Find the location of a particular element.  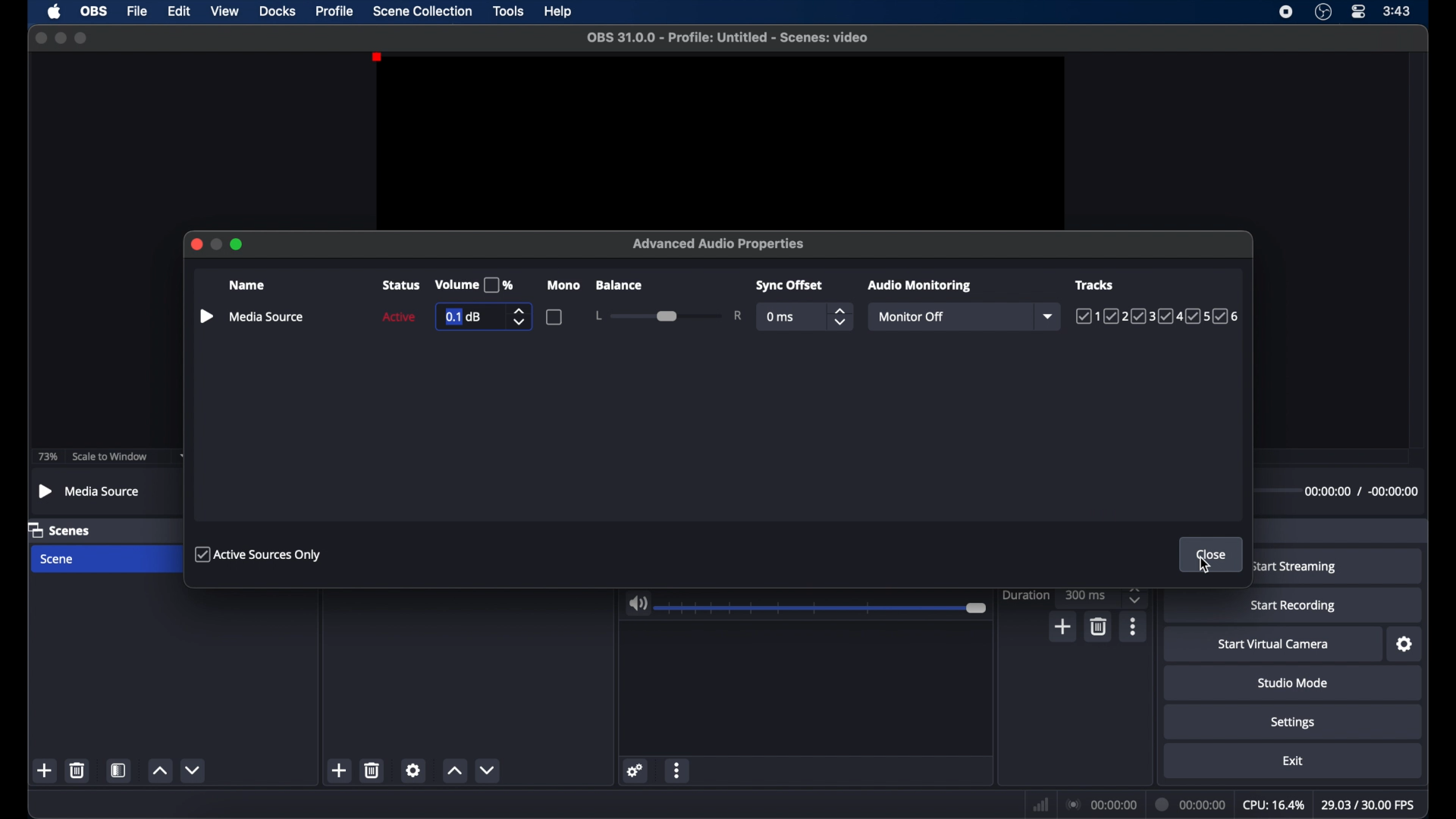

maximize is located at coordinates (238, 242).